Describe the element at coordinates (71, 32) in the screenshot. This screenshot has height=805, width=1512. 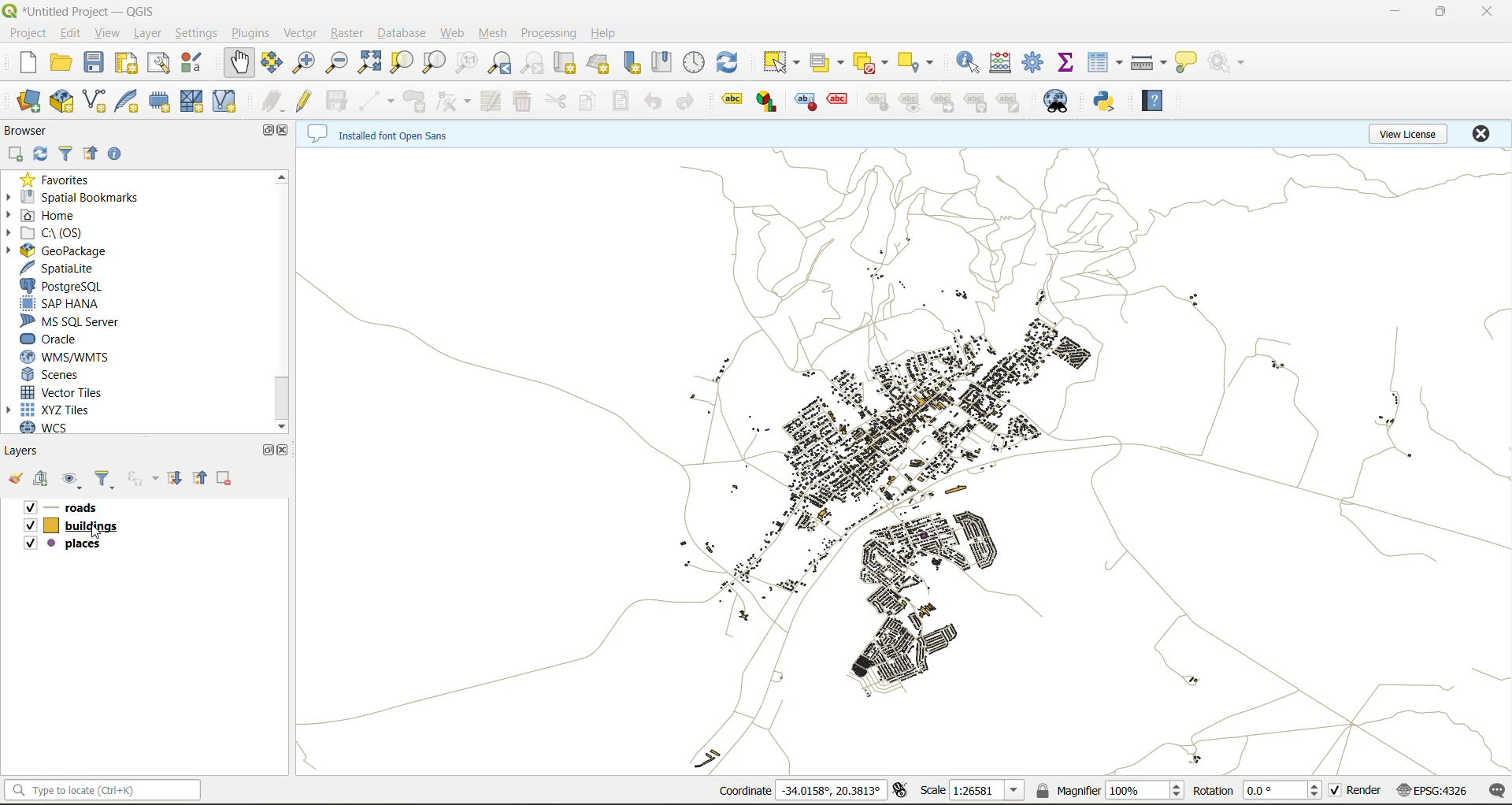
I see `edit` at that location.